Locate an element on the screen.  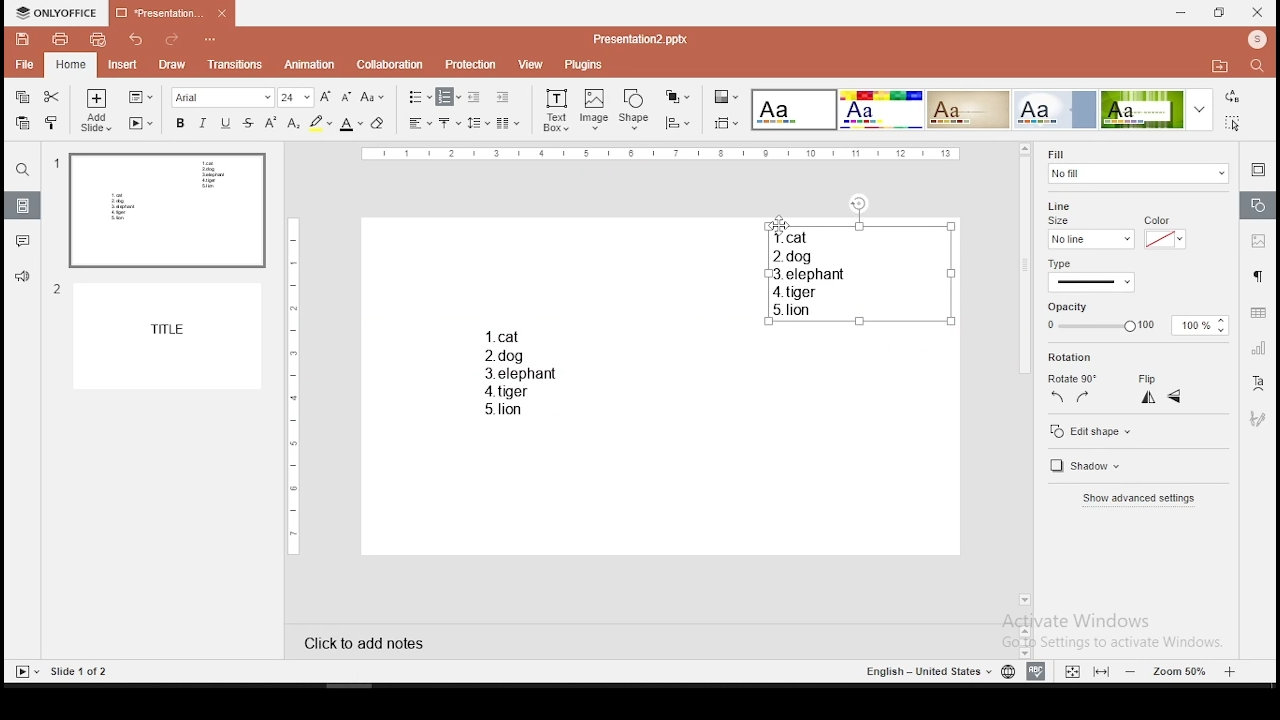
save is located at coordinates (22, 38).